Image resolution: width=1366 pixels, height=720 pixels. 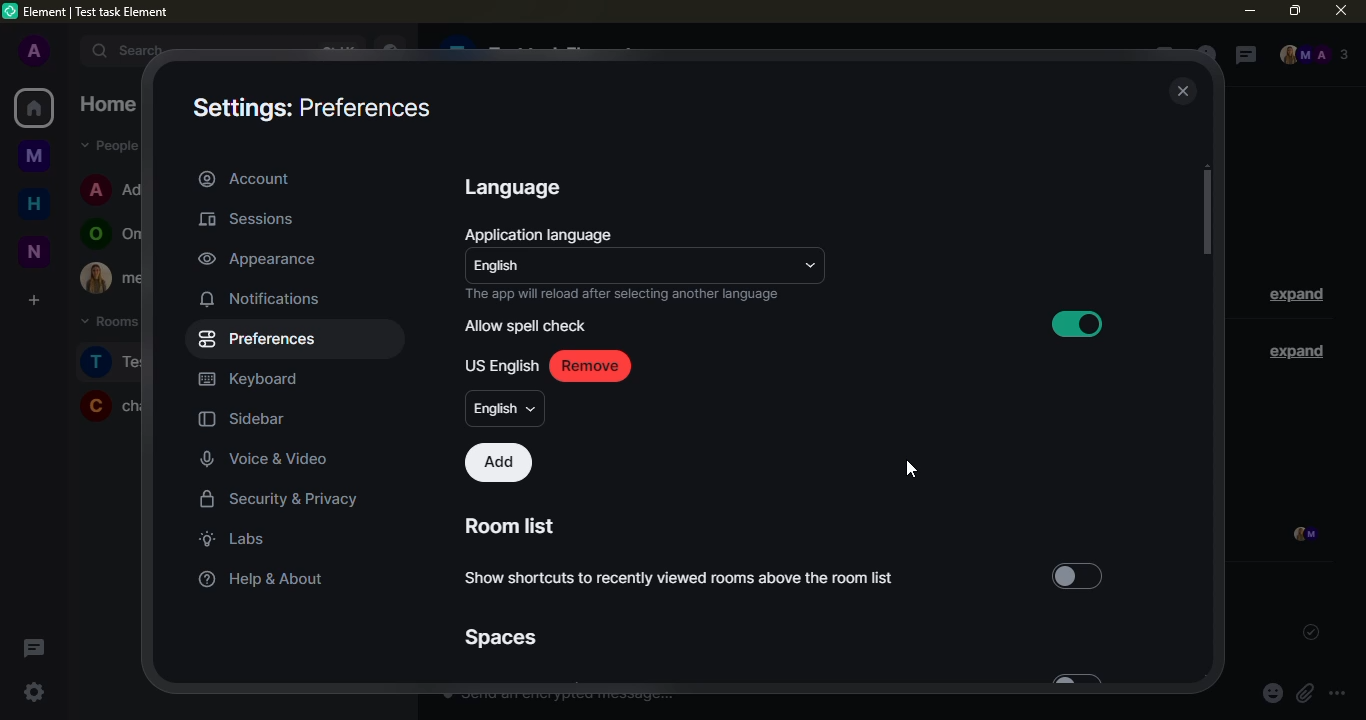 What do you see at coordinates (32, 647) in the screenshot?
I see `threads` at bounding box center [32, 647].